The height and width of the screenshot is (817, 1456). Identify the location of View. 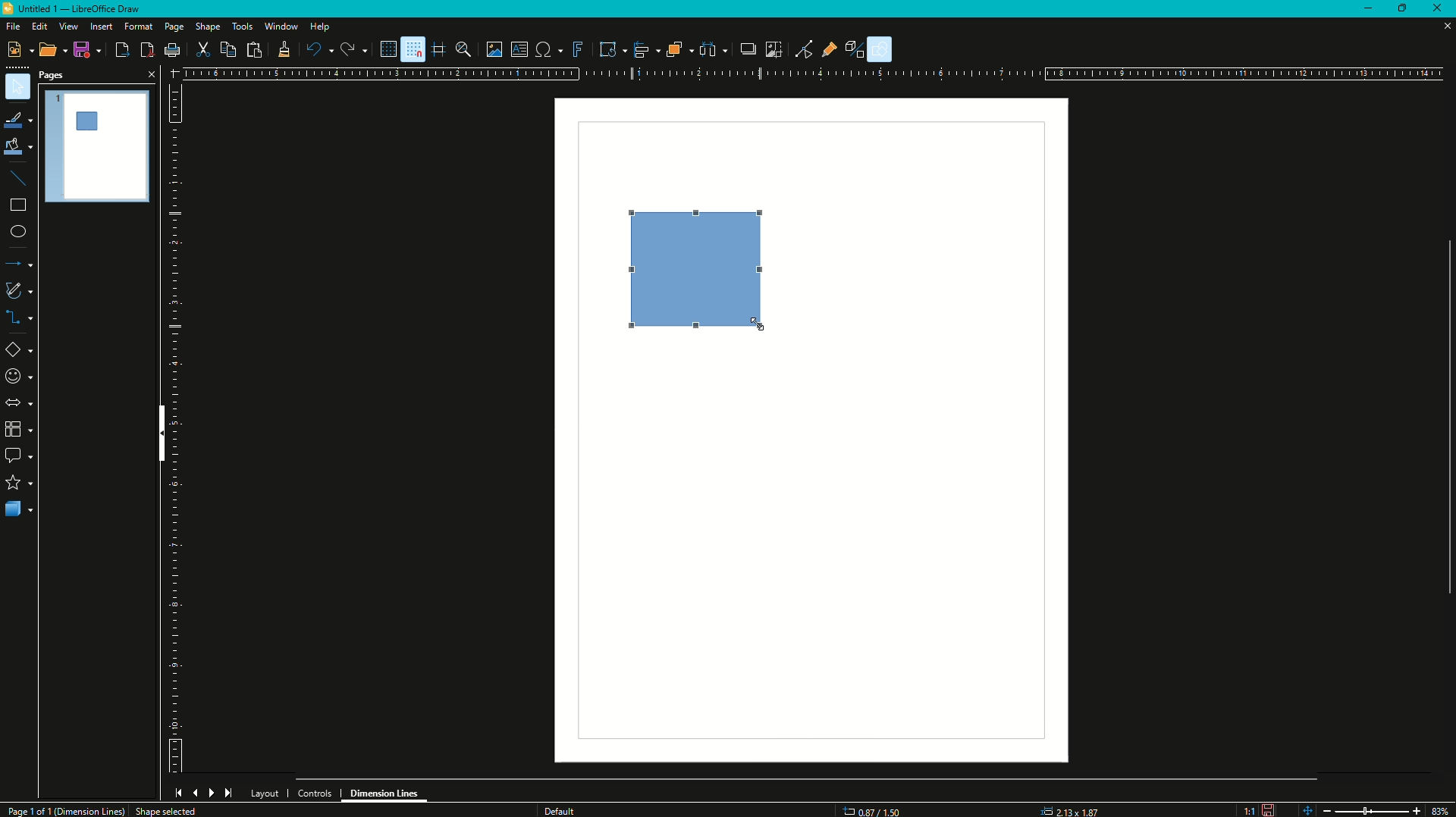
(67, 27).